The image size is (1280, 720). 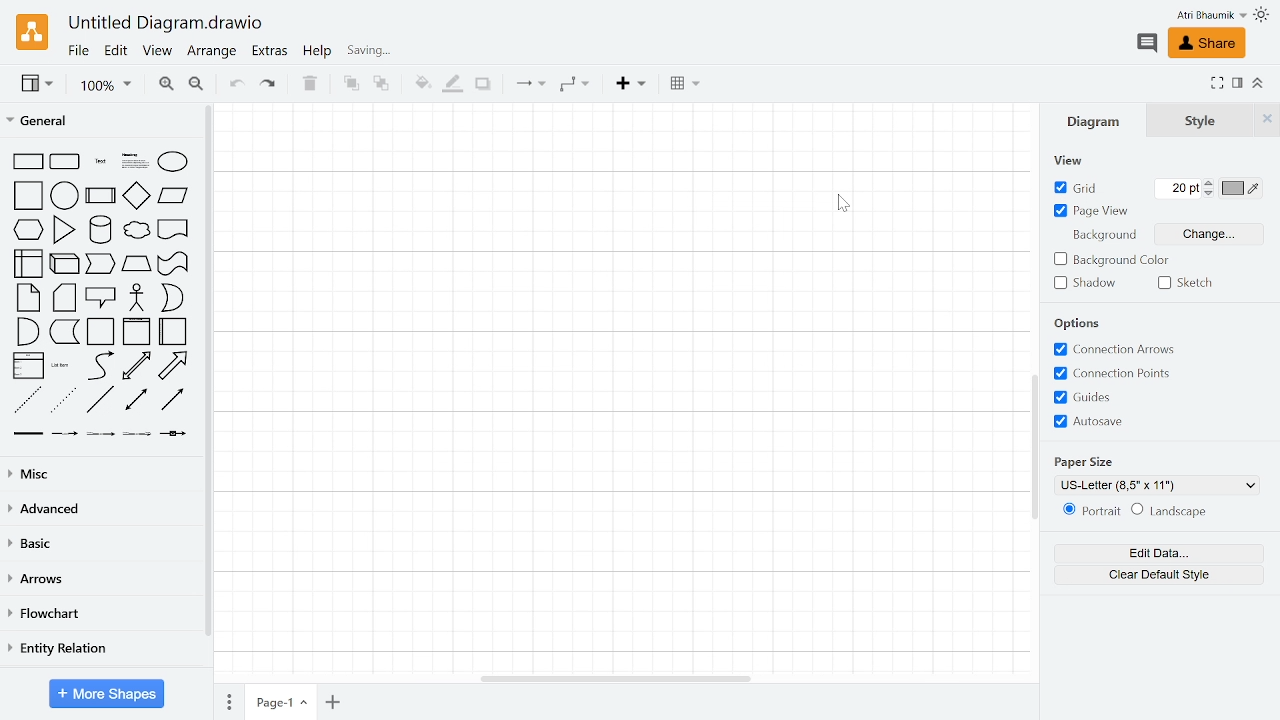 What do you see at coordinates (1088, 213) in the screenshot?
I see `Page view` at bounding box center [1088, 213].